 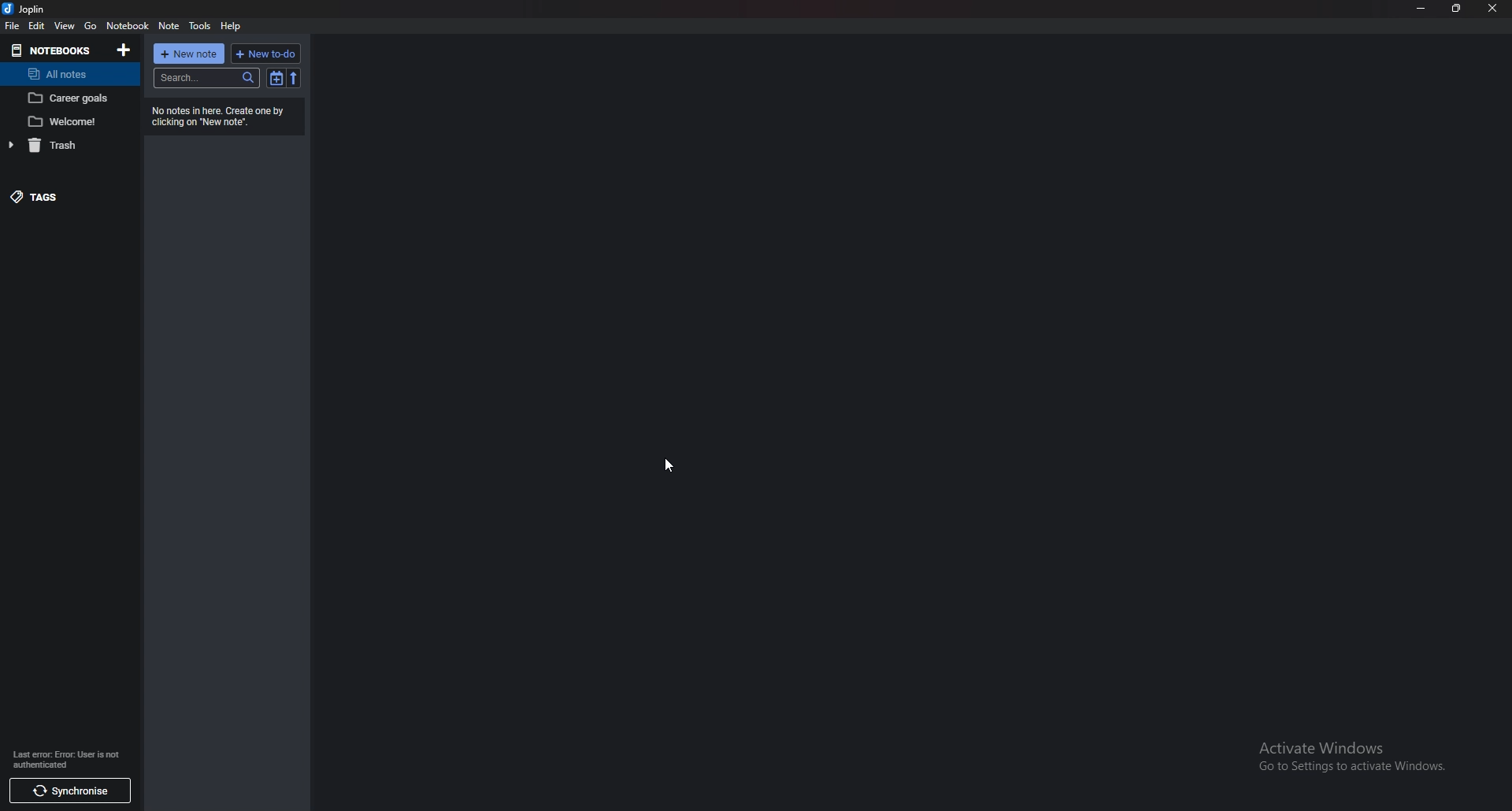 What do you see at coordinates (206, 78) in the screenshot?
I see `search` at bounding box center [206, 78].